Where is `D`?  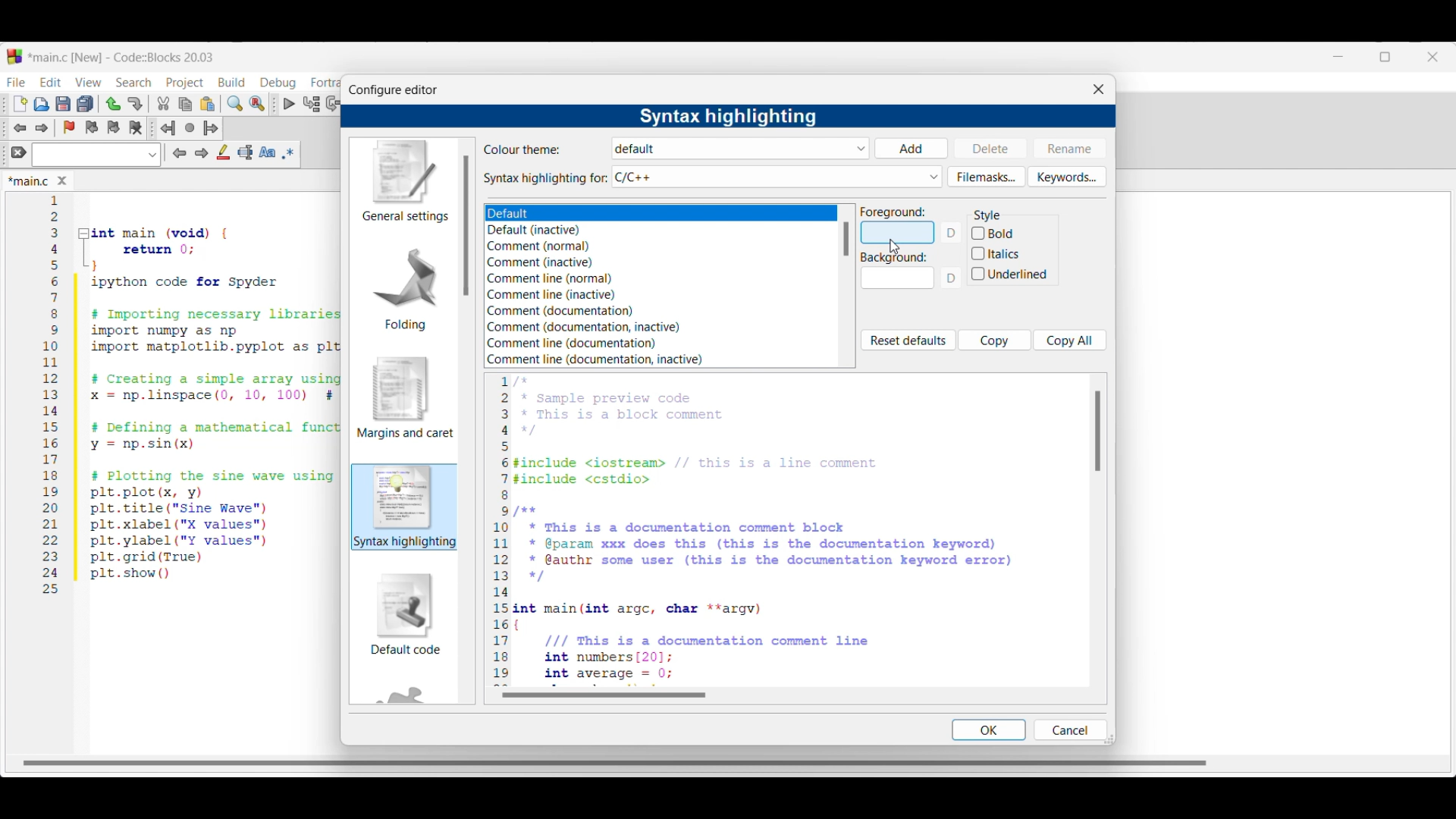
D is located at coordinates (953, 233).